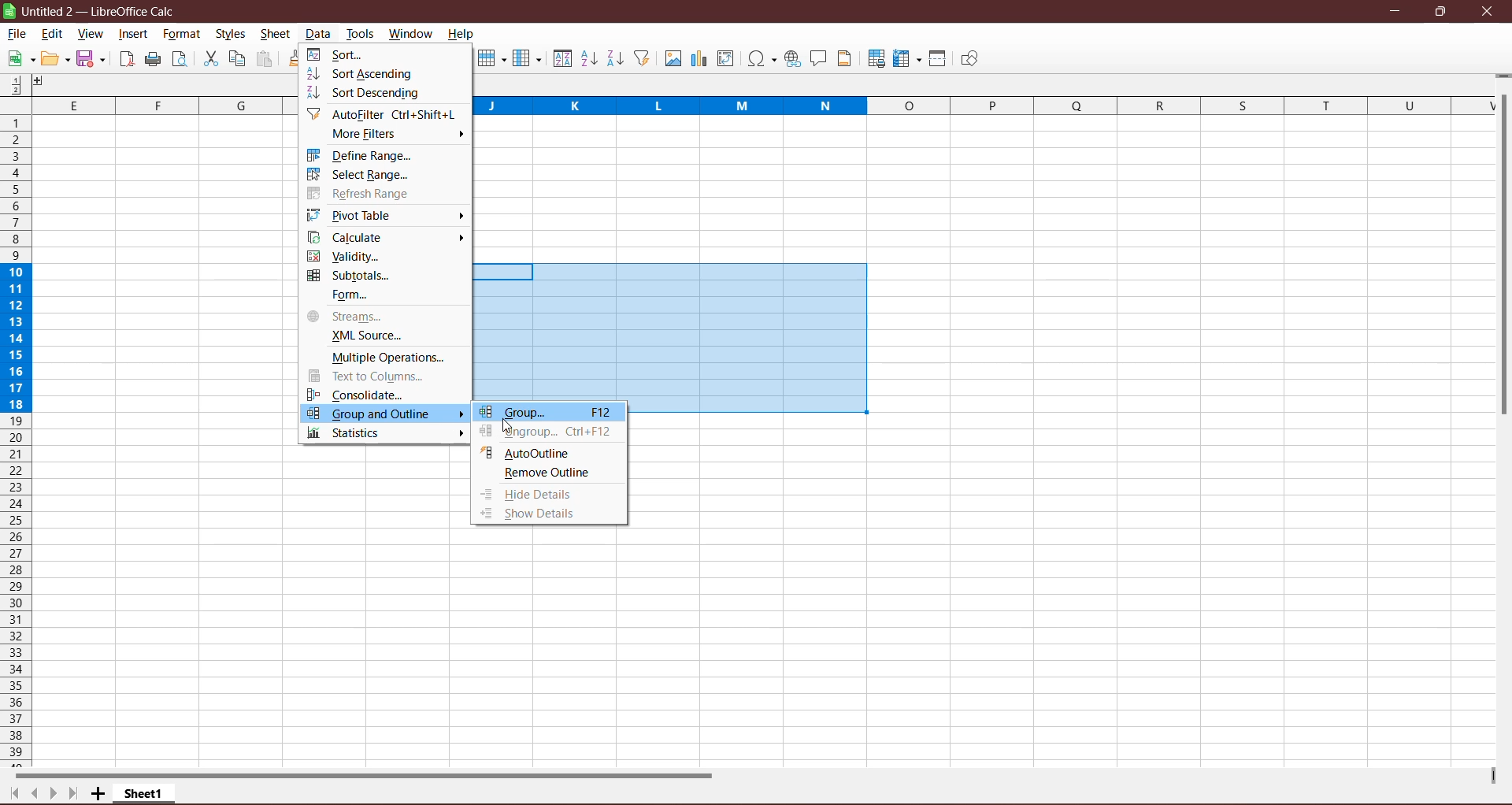  What do you see at coordinates (546, 474) in the screenshot?
I see `Remove Outline` at bounding box center [546, 474].